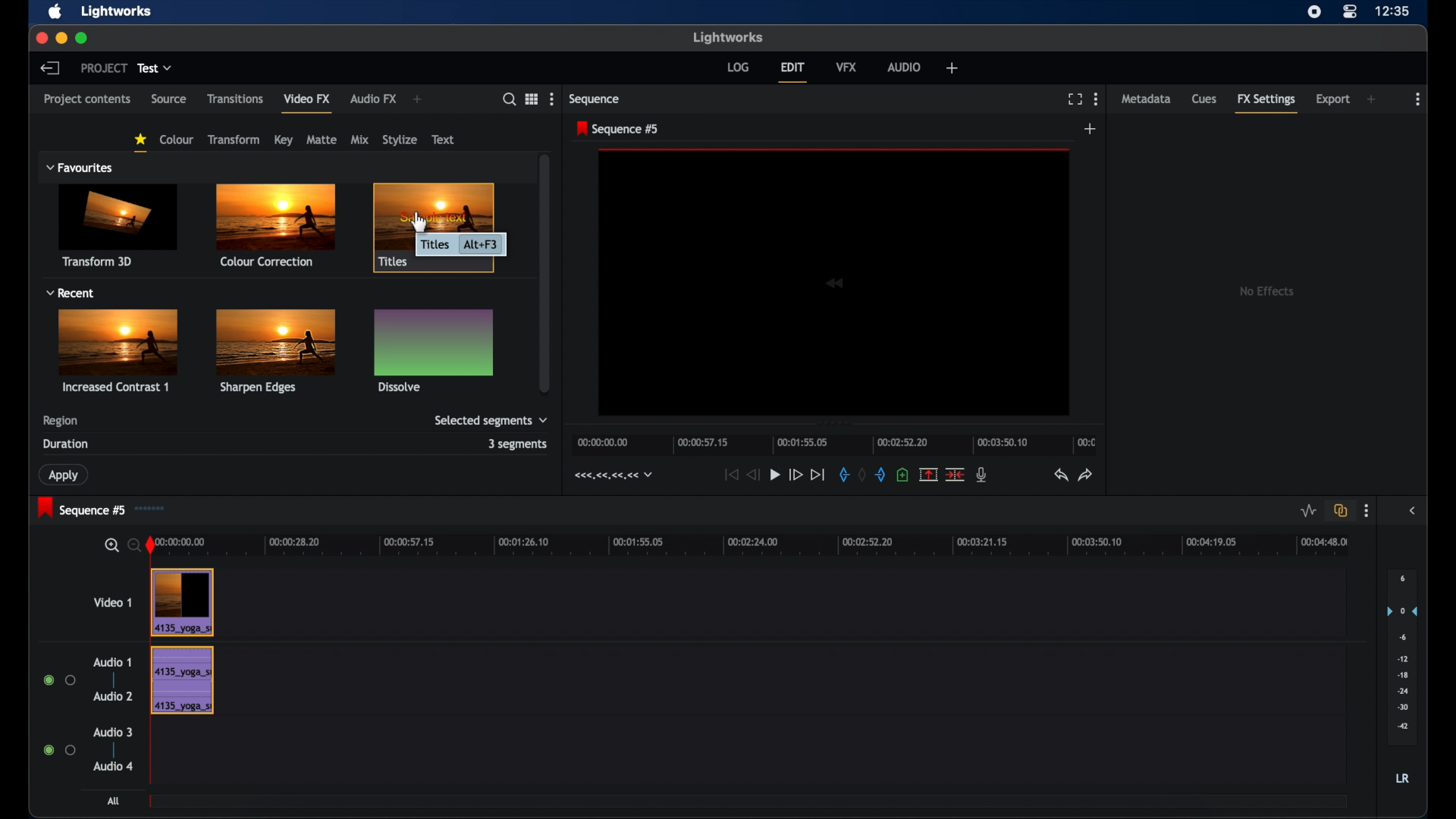 The height and width of the screenshot is (819, 1456). Describe the element at coordinates (115, 802) in the screenshot. I see `all` at that location.